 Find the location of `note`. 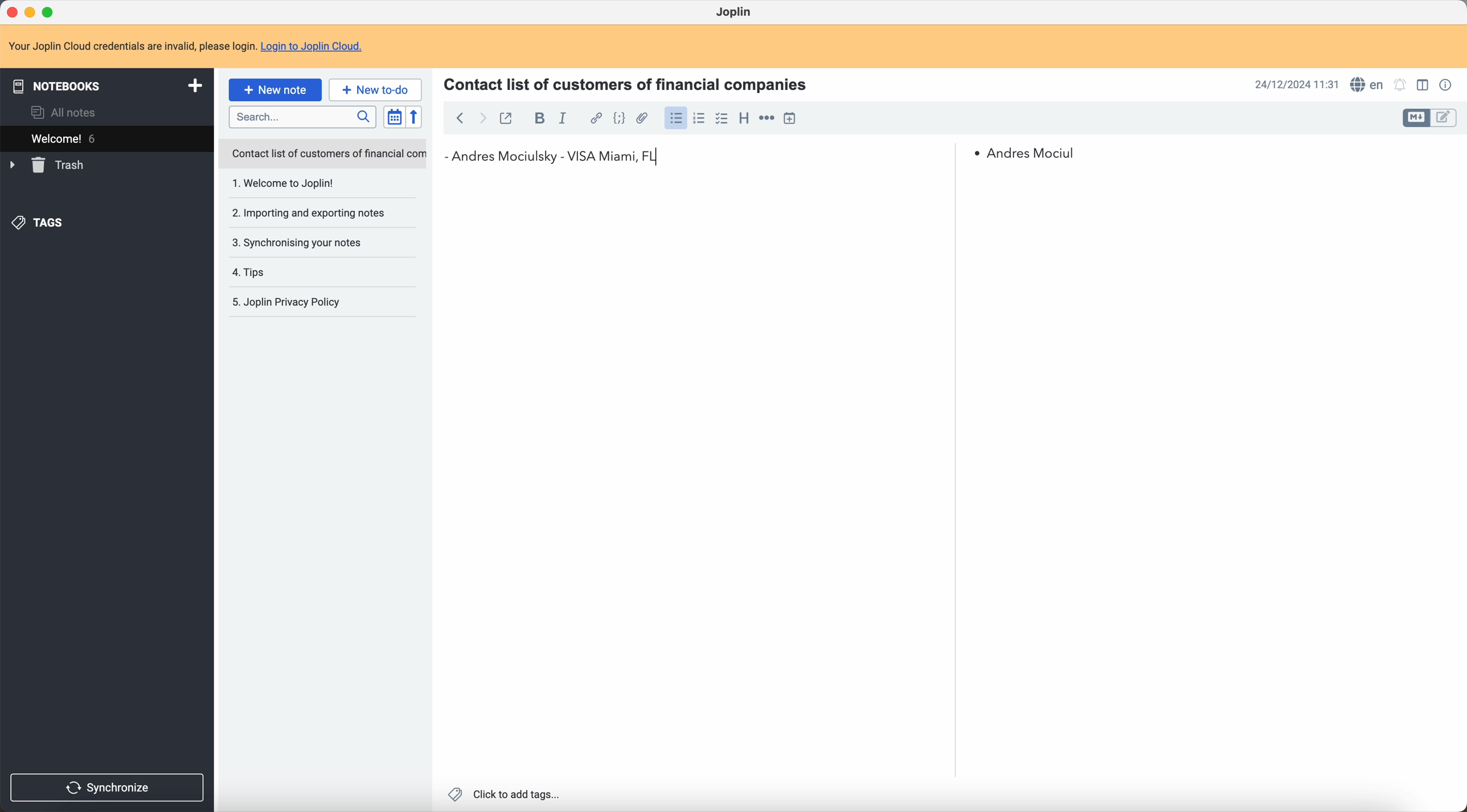

note is located at coordinates (185, 44).